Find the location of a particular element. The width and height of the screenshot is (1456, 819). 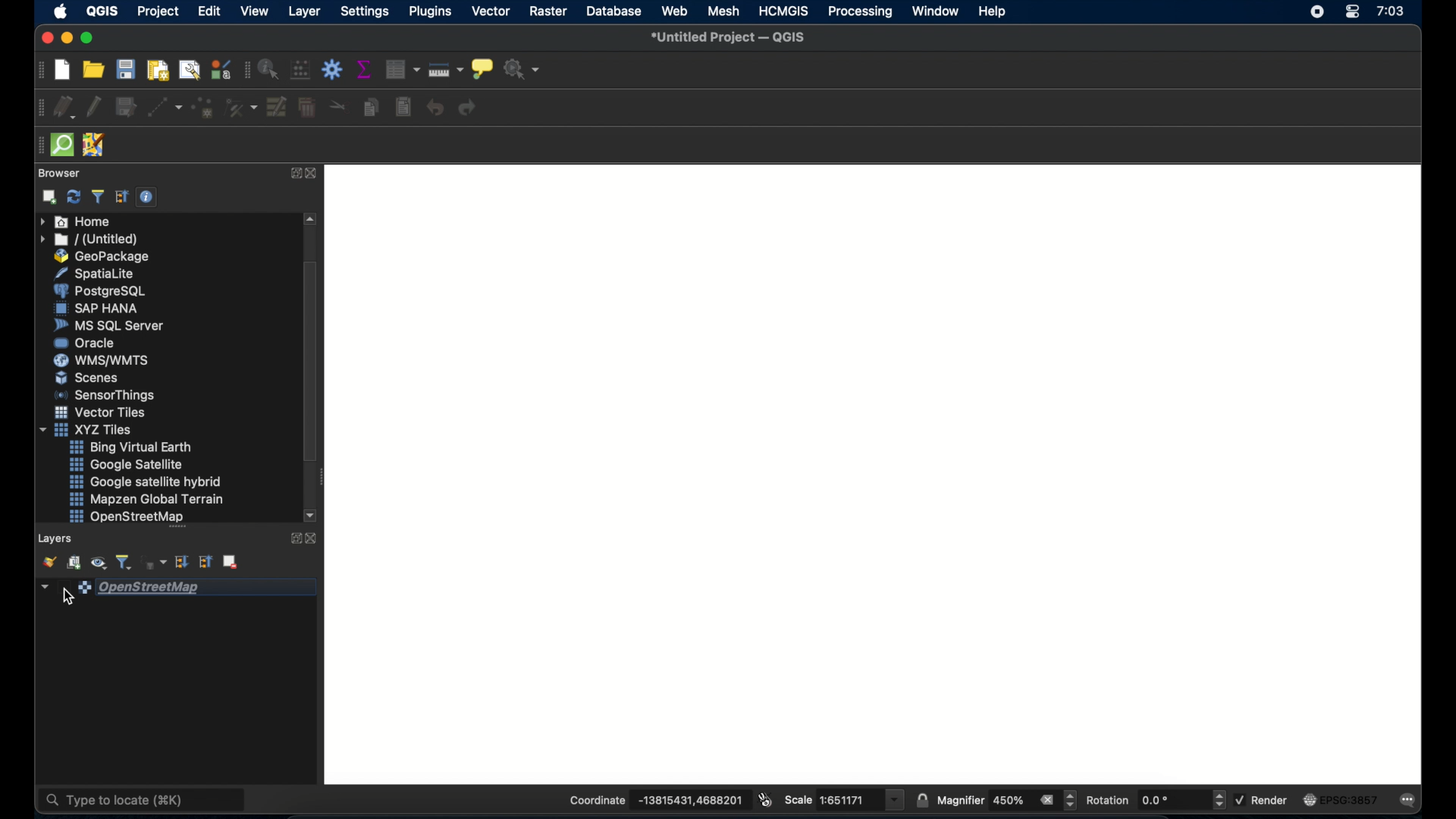

openstreetmap is located at coordinates (124, 517).